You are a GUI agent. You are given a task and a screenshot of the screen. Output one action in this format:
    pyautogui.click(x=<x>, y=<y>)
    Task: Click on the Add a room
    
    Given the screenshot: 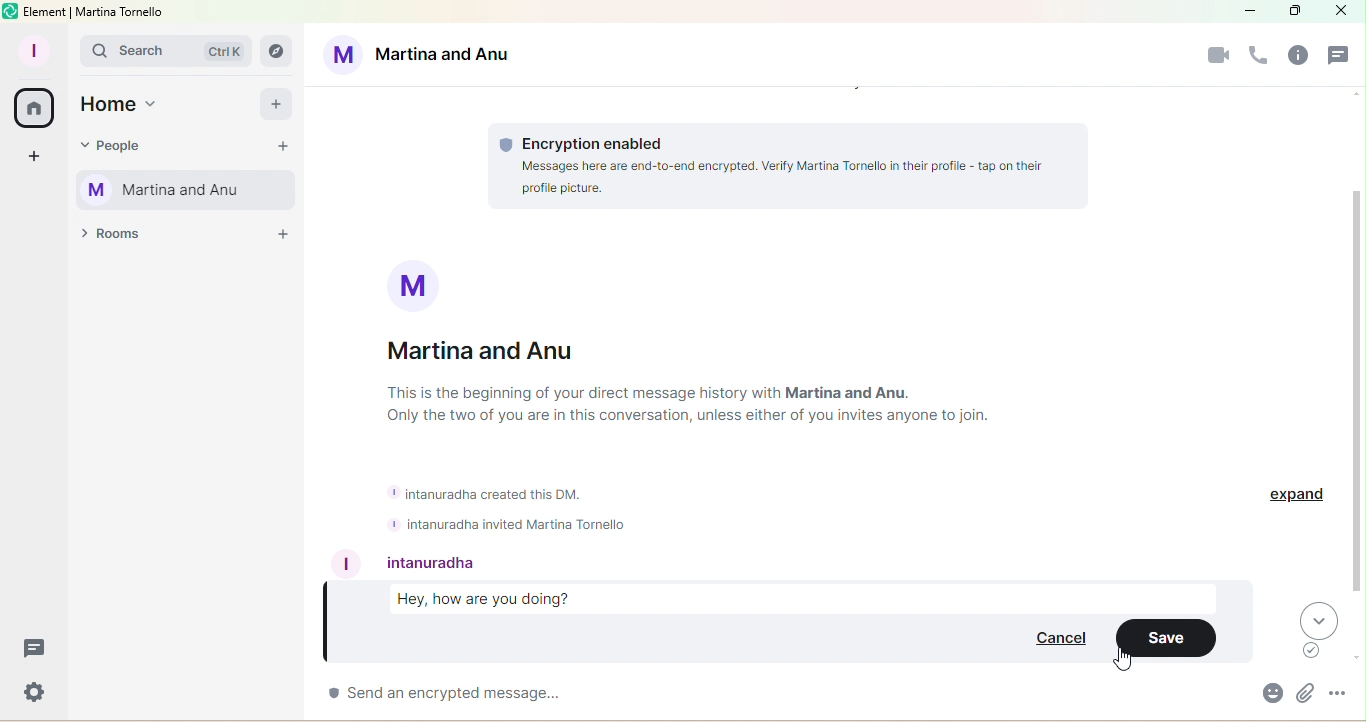 What is the action you would take?
    pyautogui.click(x=282, y=238)
    